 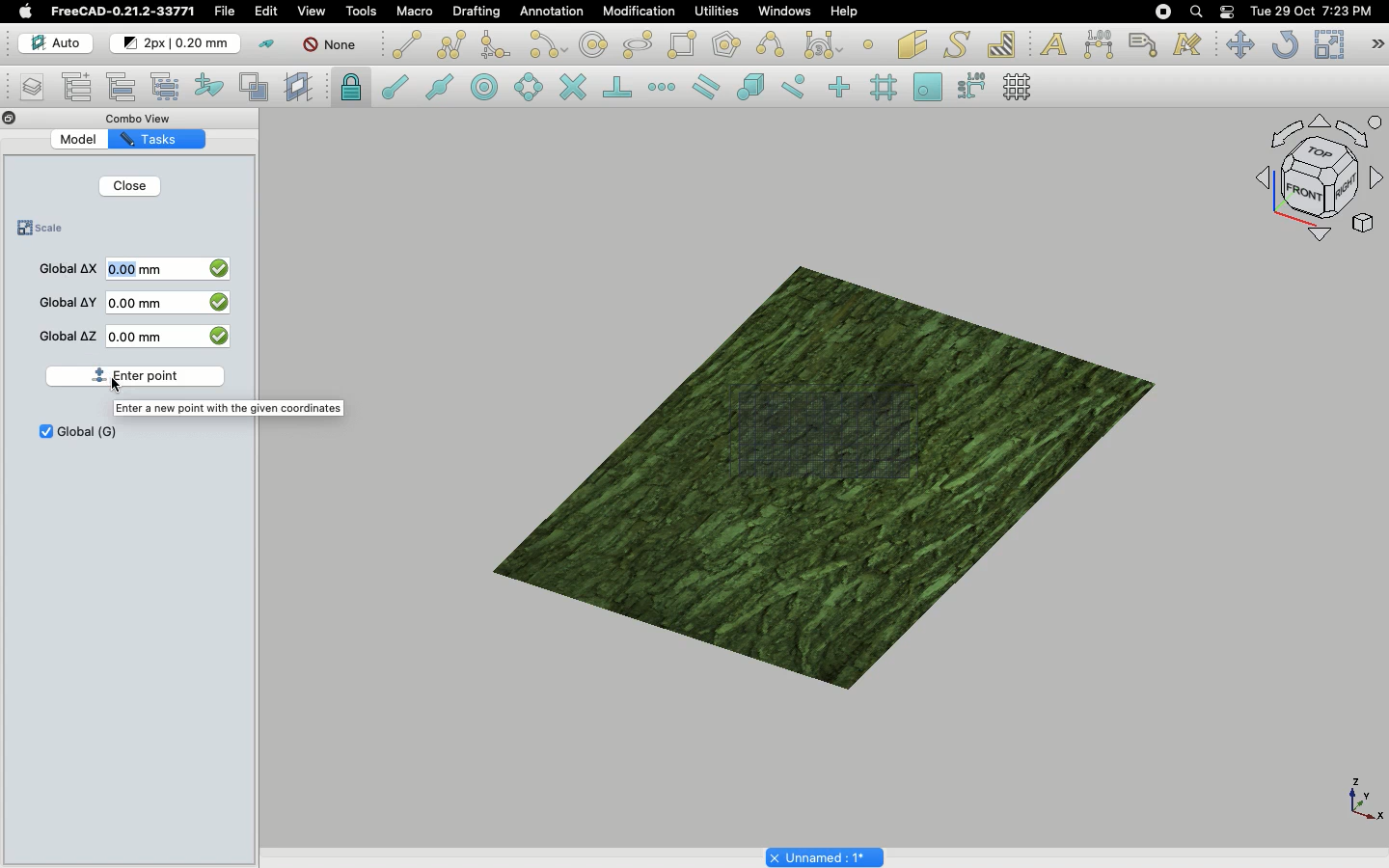 What do you see at coordinates (524, 86) in the screenshot?
I see `Snap angle` at bounding box center [524, 86].